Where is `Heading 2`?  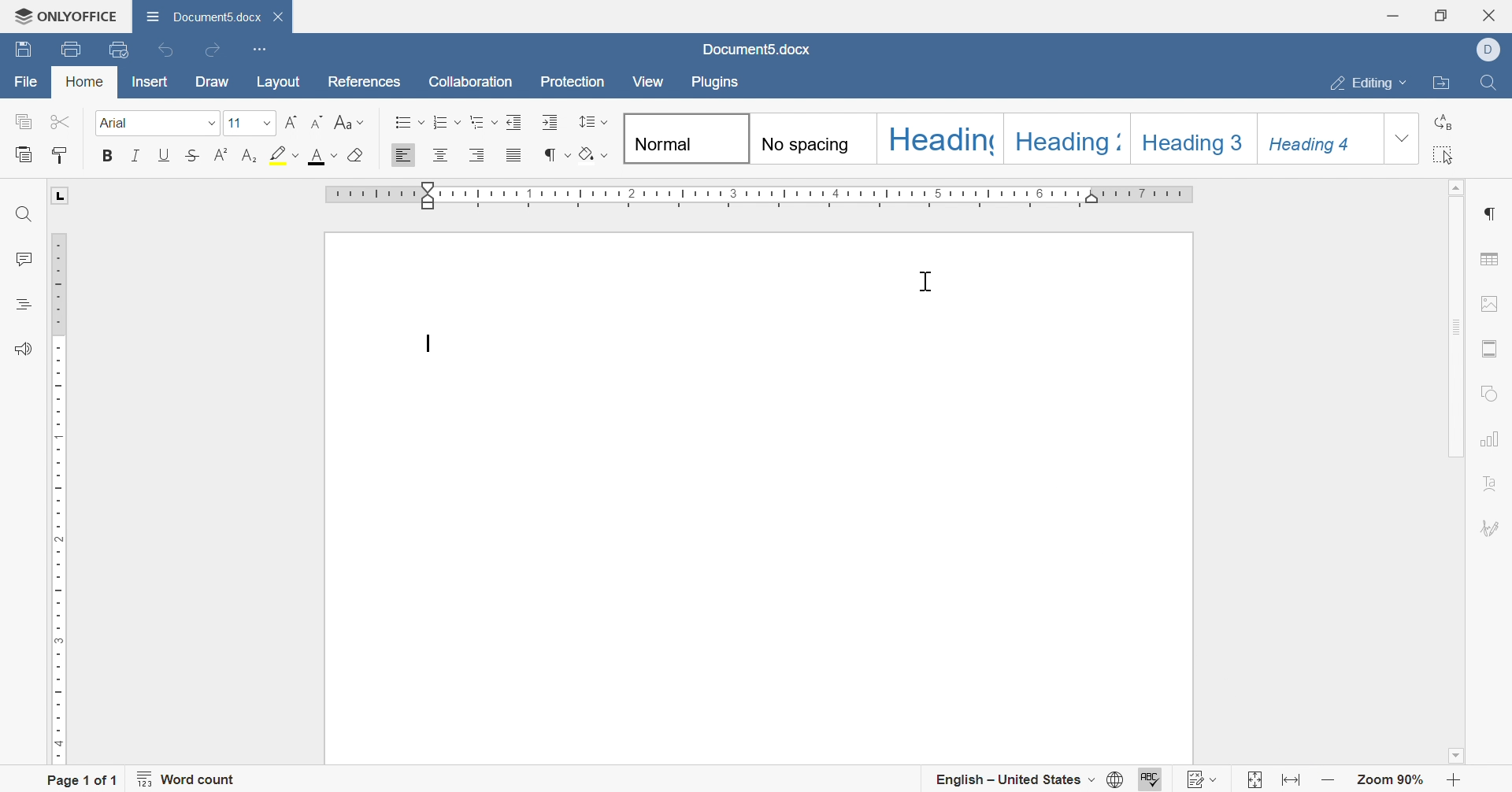 Heading 2 is located at coordinates (1062, 138).